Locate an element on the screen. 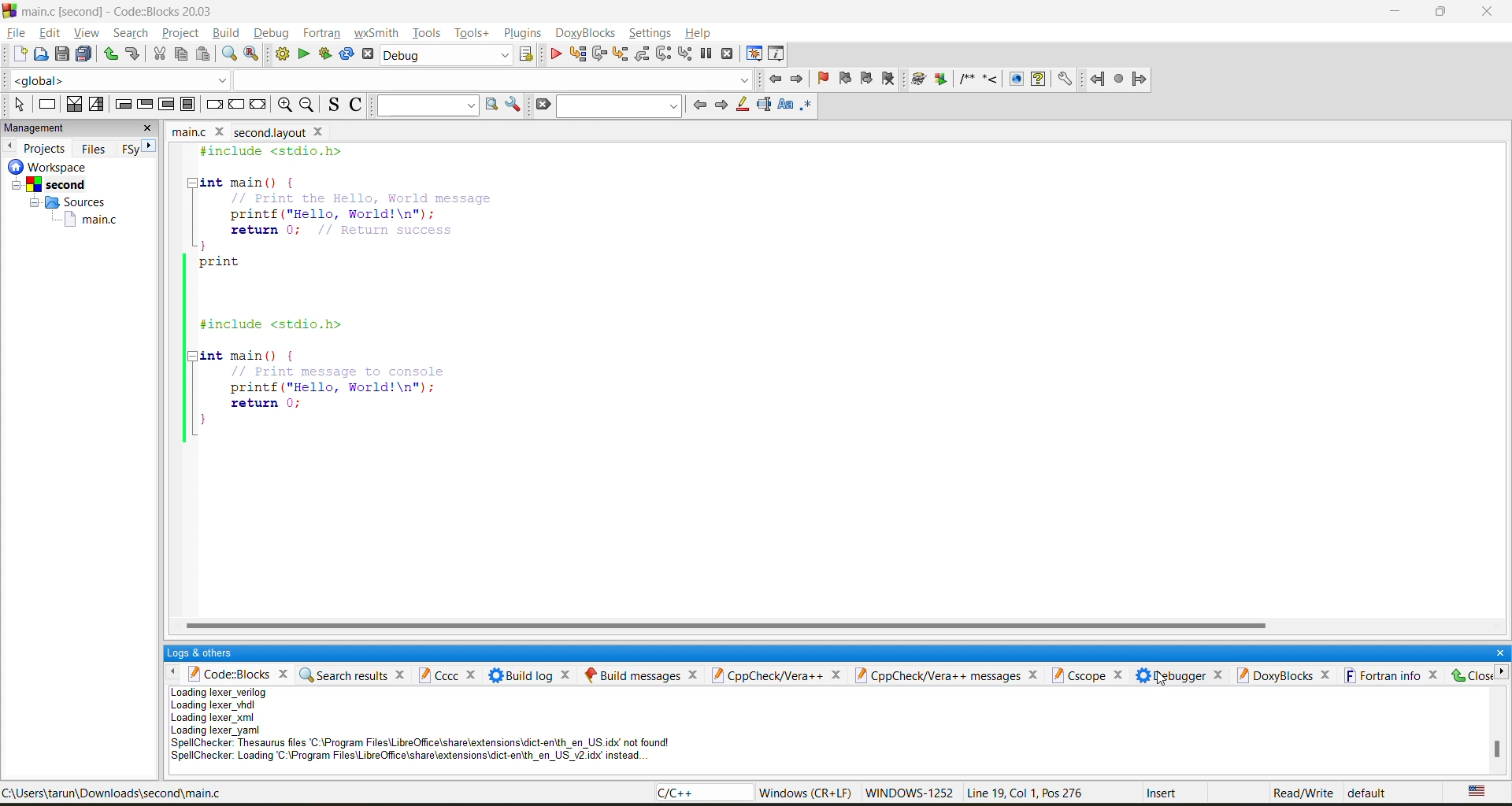 The width and height of the screenshot is (1512, 806). logs and others is located at coordinates (206, 654).